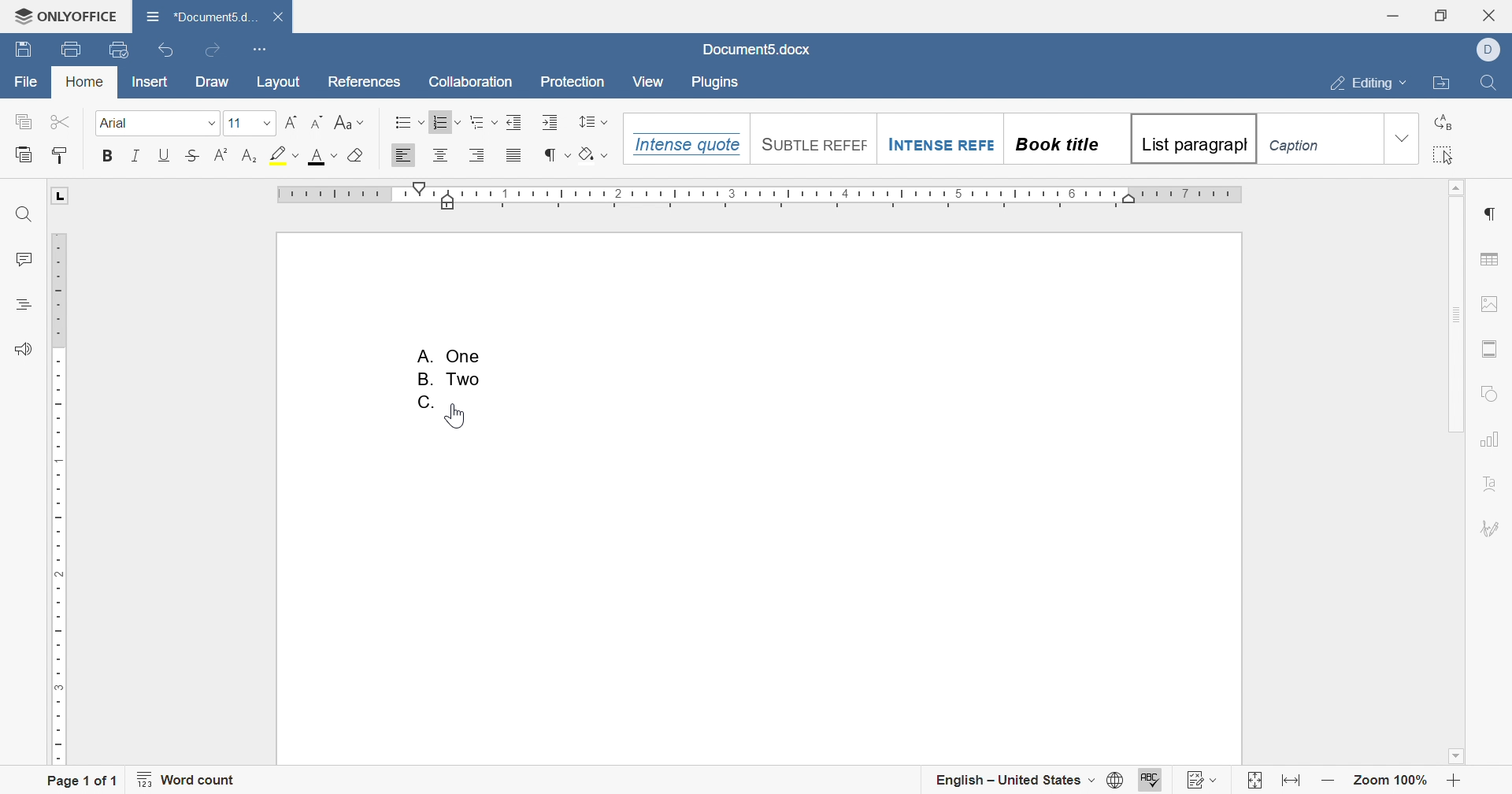 This screenshot has width=1512, height=794. Describe the element at coordinates (1390, 782) in the screenshot. I see `zoom 100%` at that location.